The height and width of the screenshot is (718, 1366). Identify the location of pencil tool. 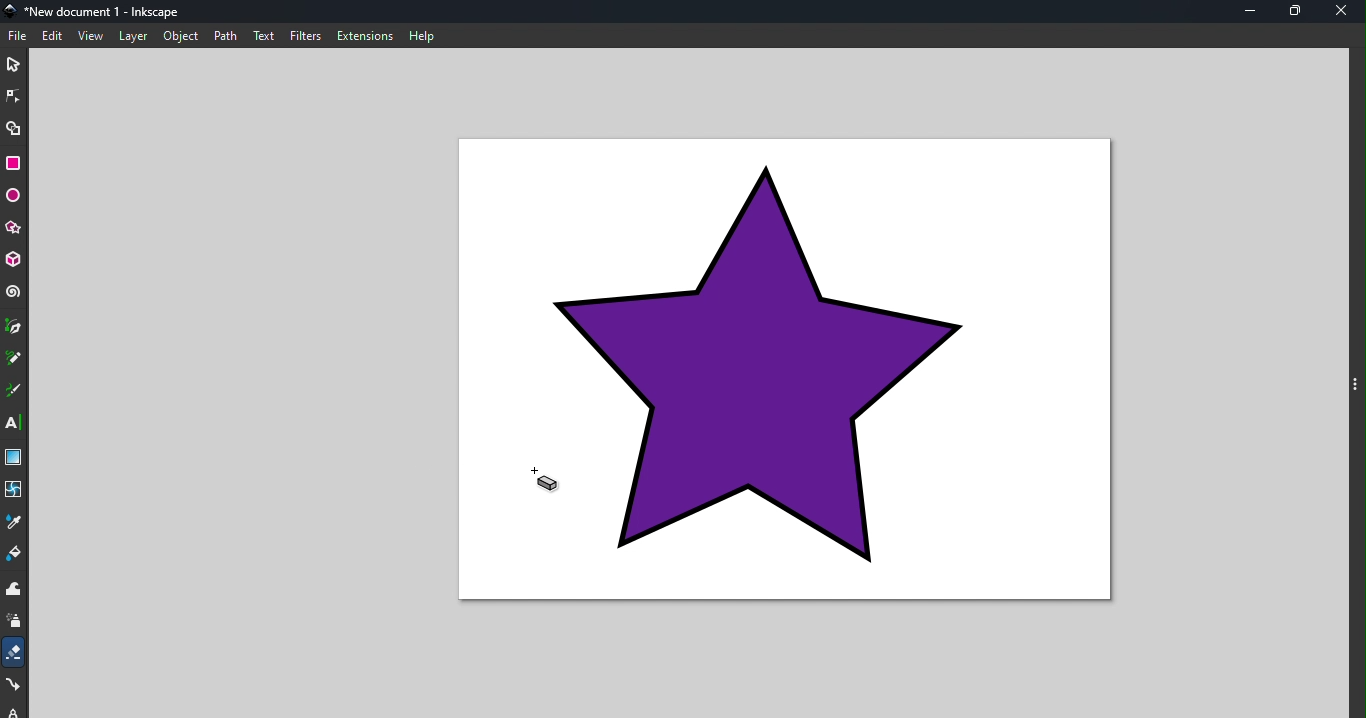
(14, 359).